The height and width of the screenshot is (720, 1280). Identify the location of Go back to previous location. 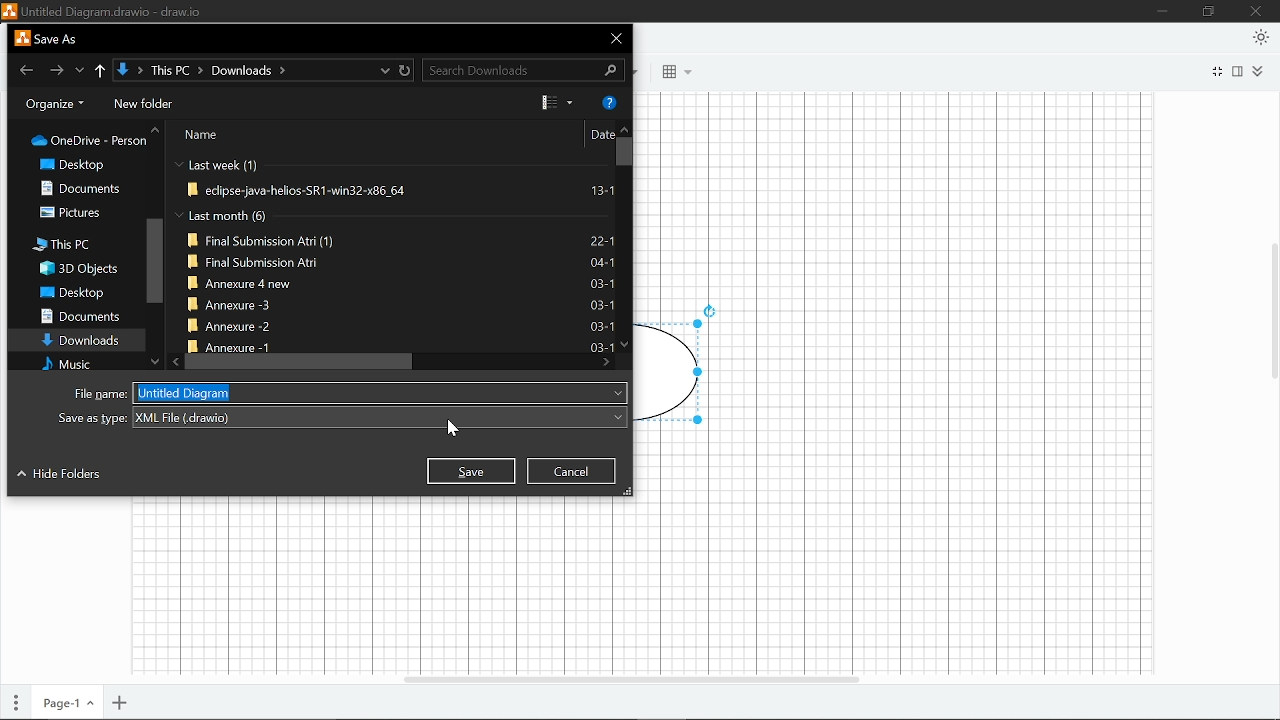
(28, 71).